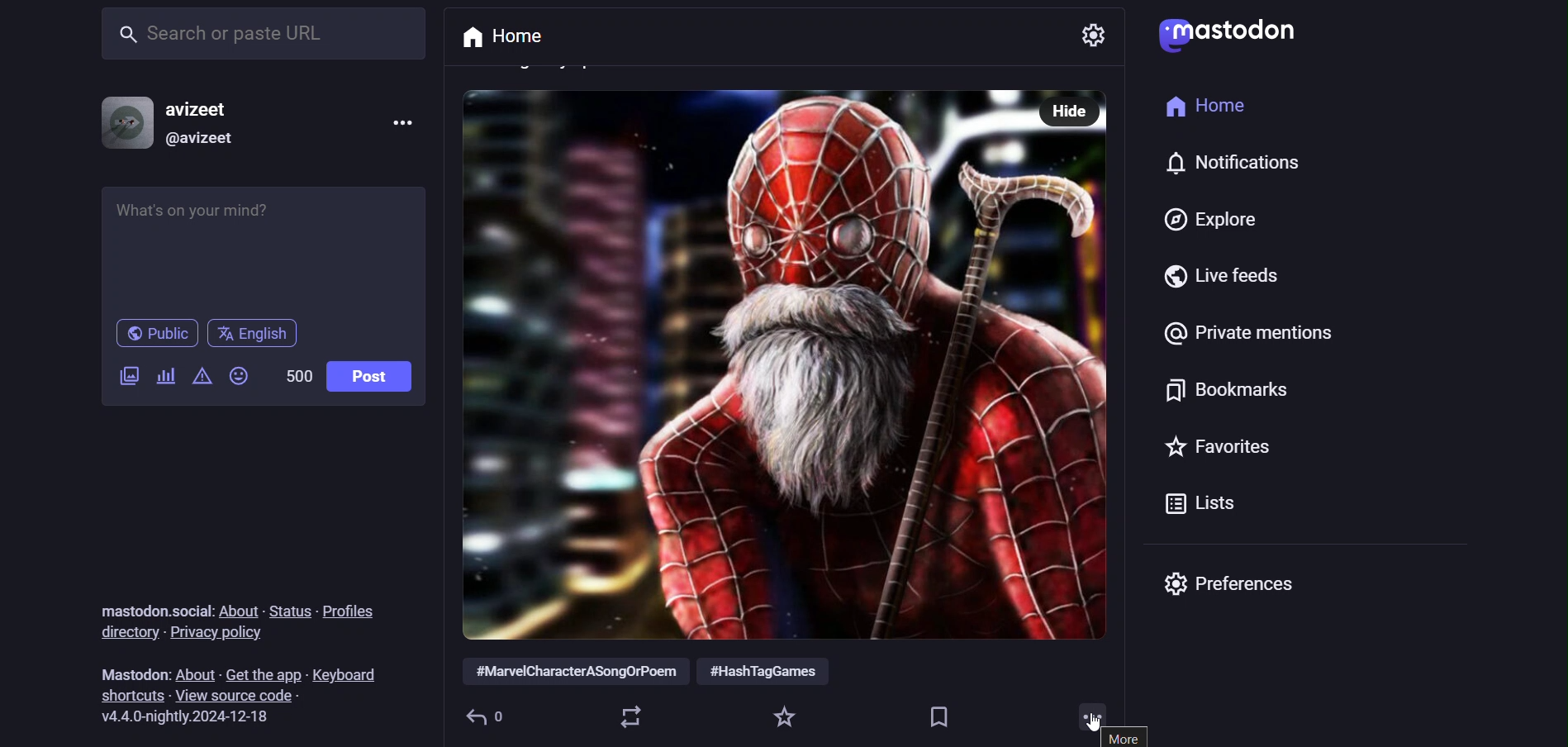 The width and height of the screenshot is (1568, 747). I want to click on privacy policy, so click(221, 633).